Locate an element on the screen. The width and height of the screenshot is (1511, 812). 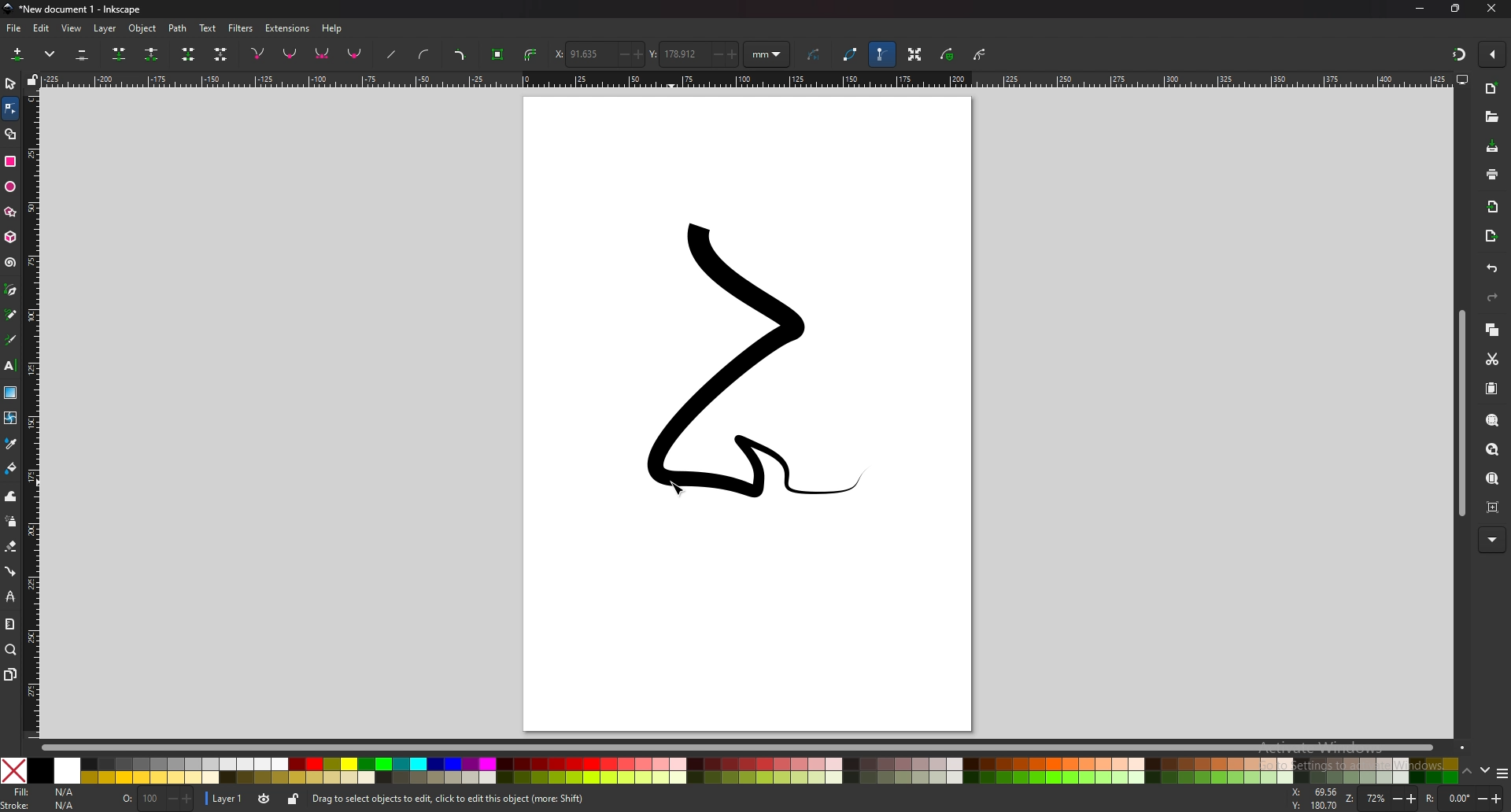
zoom page is located at coordinates (1493, 478).